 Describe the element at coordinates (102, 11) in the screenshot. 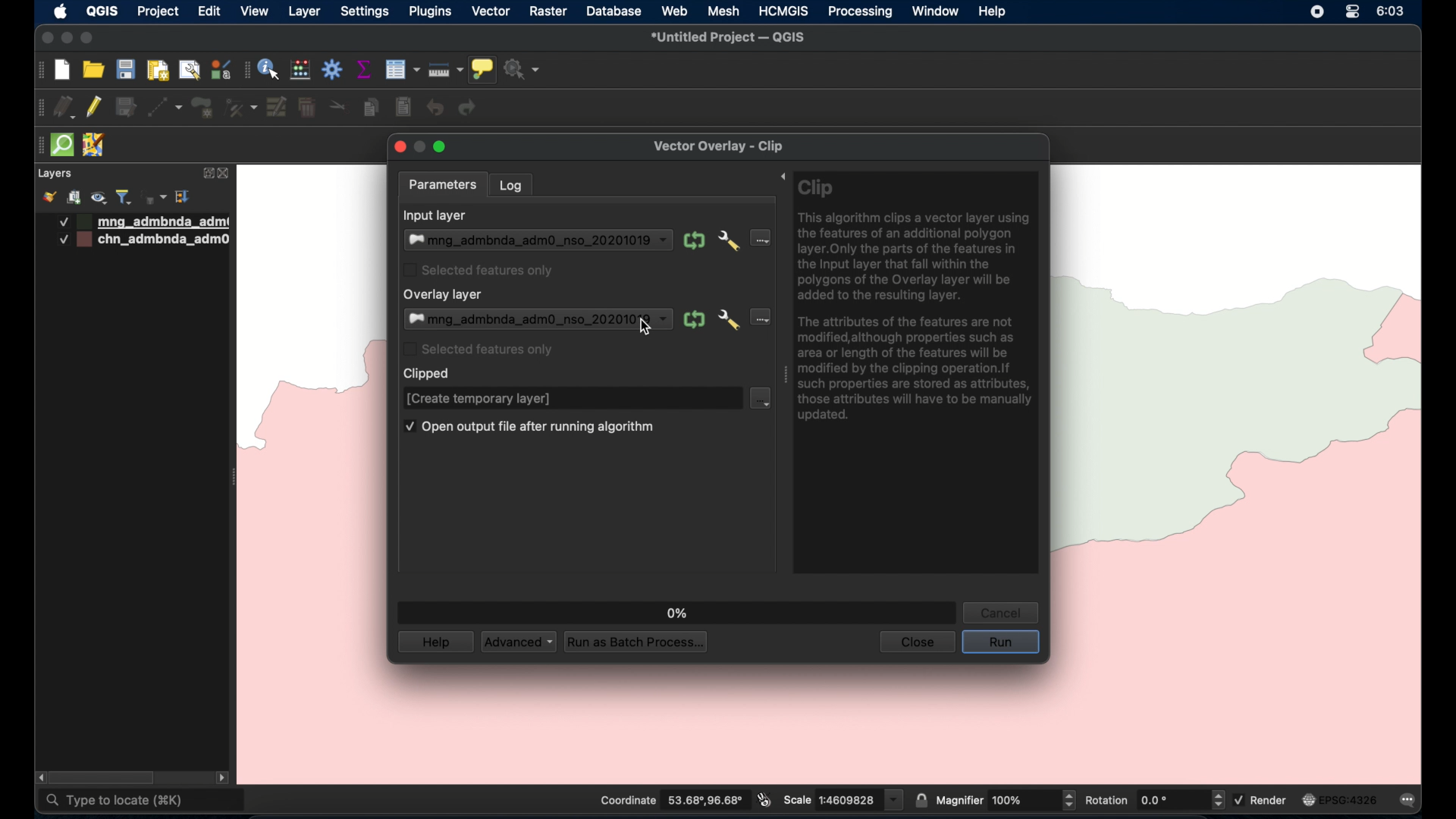

I see `QGIS` at that location.